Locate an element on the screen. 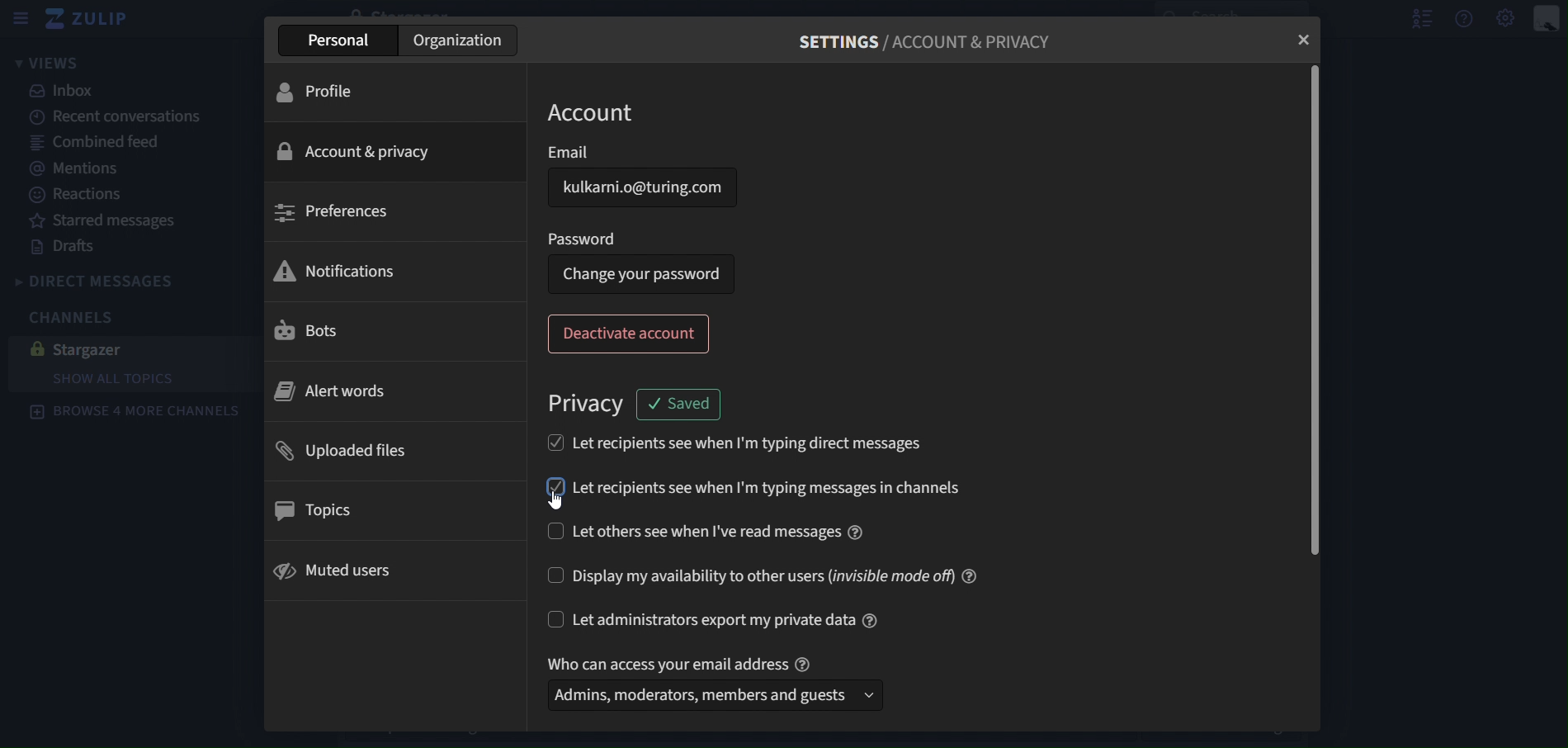 This screenshot has height=748, width=1568. saved is located at coordinates (681, 405).